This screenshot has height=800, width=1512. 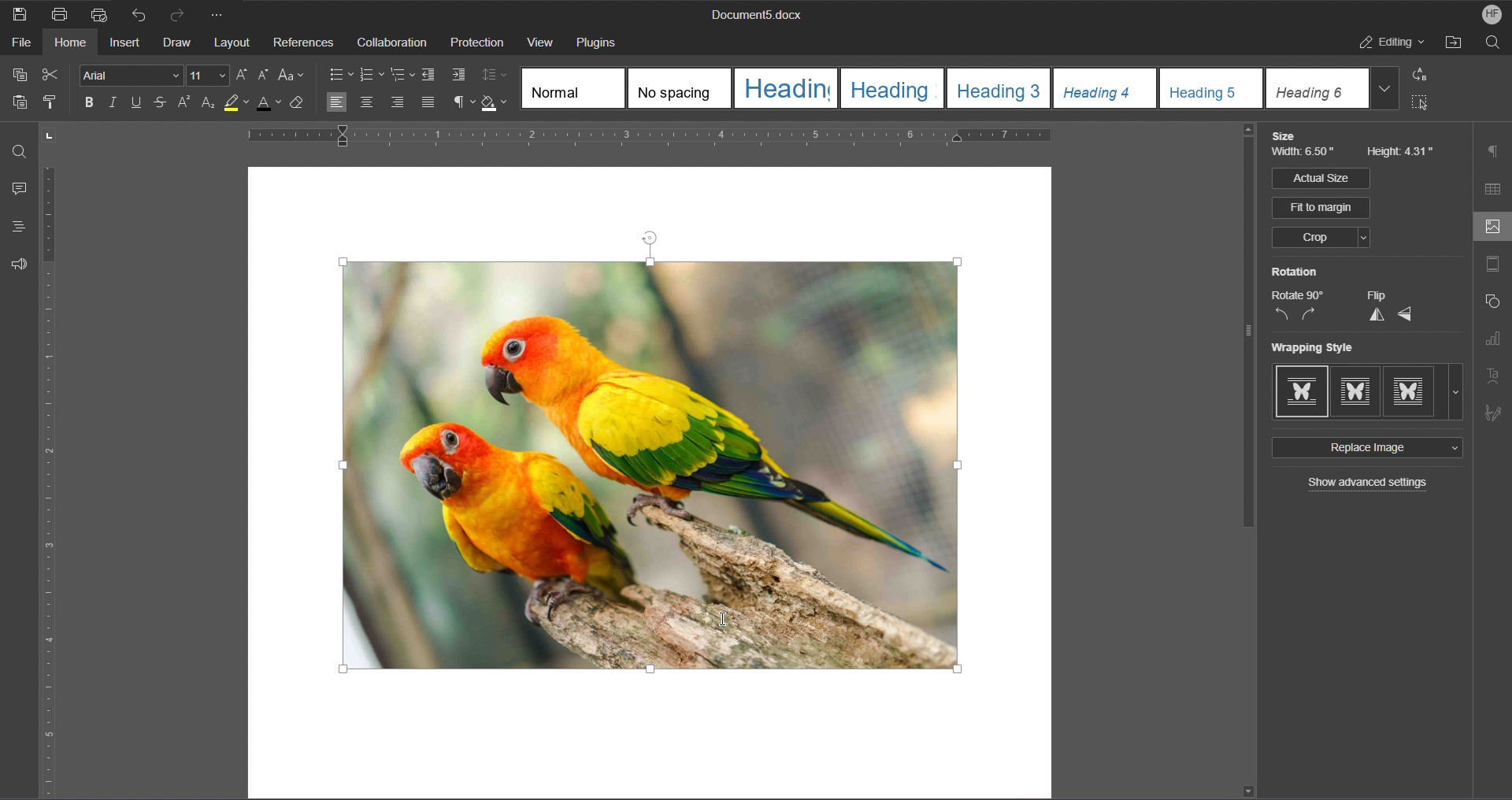 What do you see at coordinates (294, 76) in the screenshot?
I see `Text Case` at bounding box center [294, 76].